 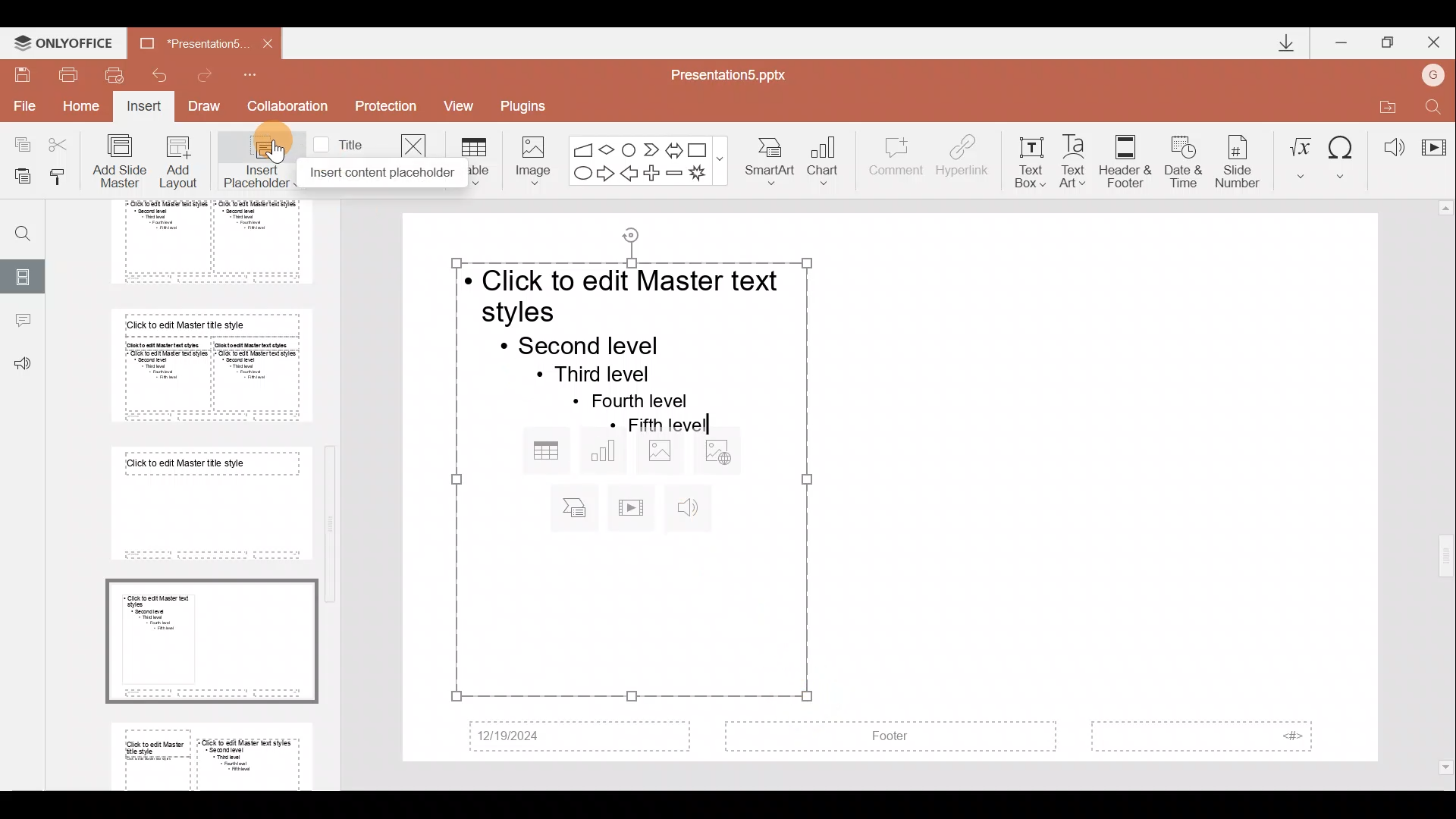 What do you see at coordinates (145, 108) in the screenshot?
I see `Insert` at bounding box center [145, 108].